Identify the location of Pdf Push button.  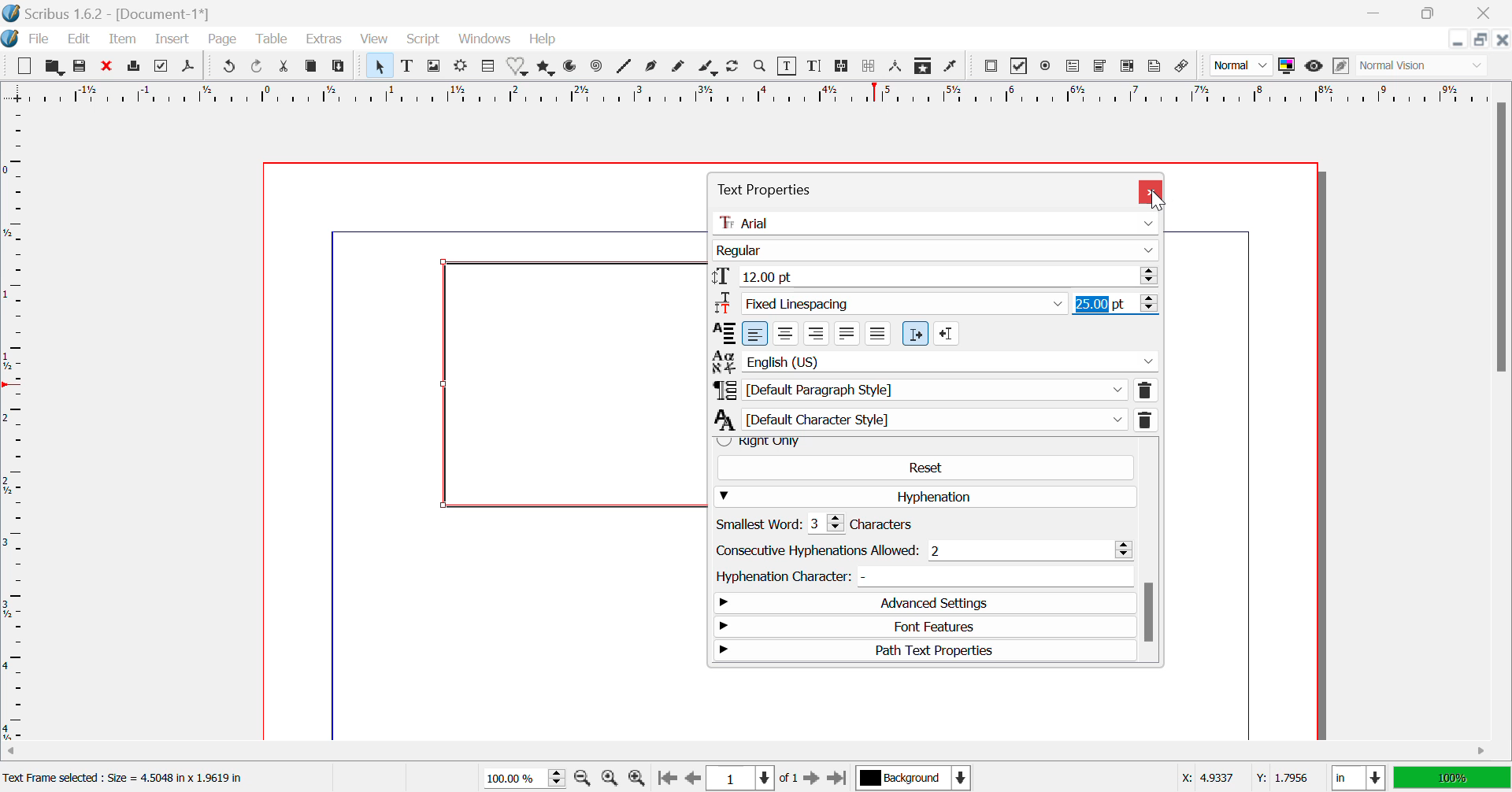
(991, 68).